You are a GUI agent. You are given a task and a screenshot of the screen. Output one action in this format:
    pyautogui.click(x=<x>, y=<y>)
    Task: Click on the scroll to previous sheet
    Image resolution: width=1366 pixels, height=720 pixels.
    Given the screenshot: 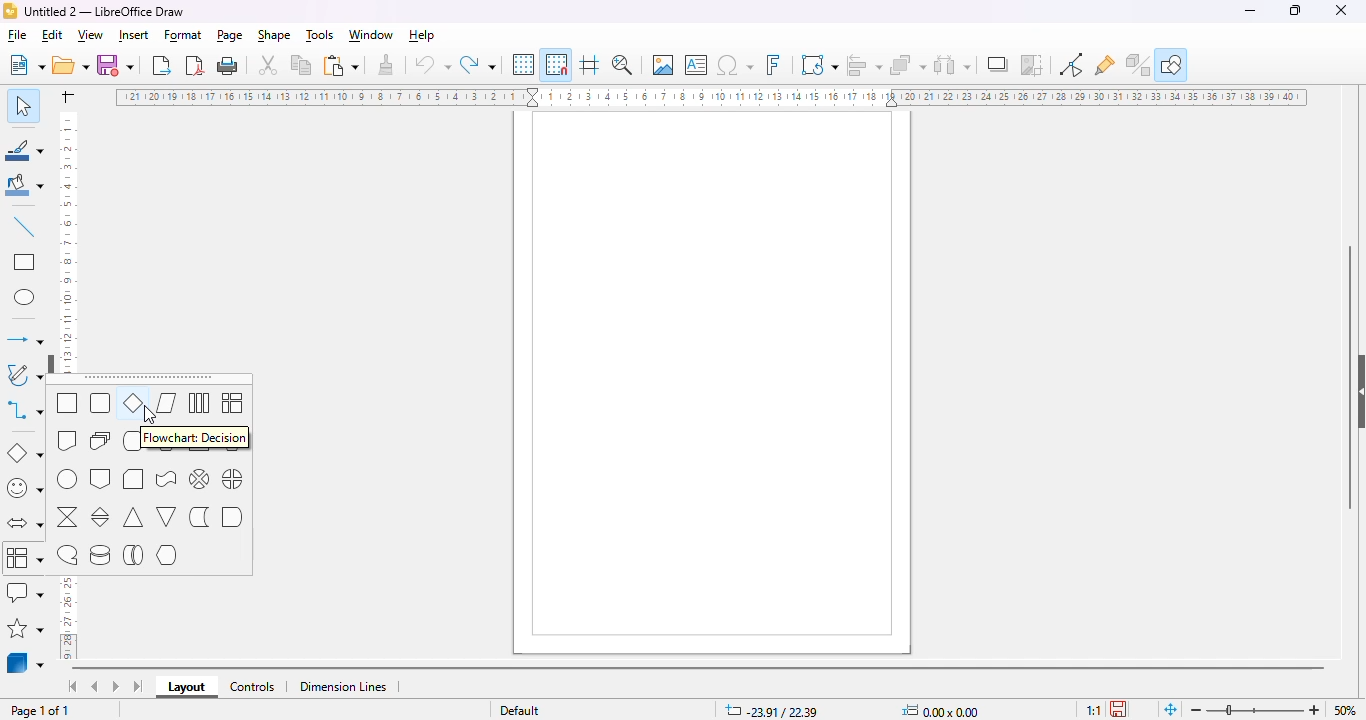 What is the action you would take?
    pyautogui.click(x=97, y=686)
    